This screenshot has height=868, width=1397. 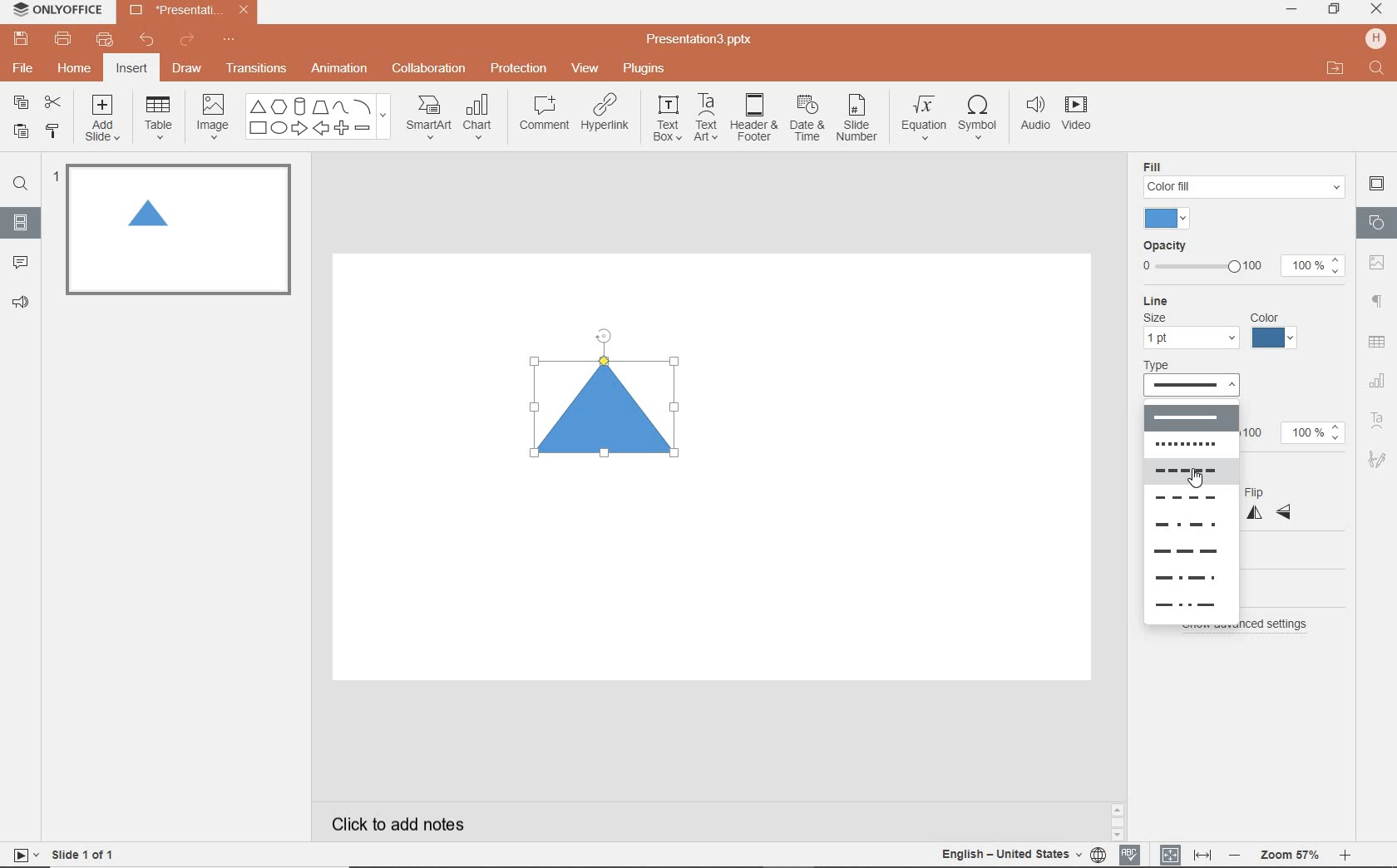 What do you see at coordinates (131, 70) in the screenshot?
I see `INSERT` at bounding box center [131, 70].